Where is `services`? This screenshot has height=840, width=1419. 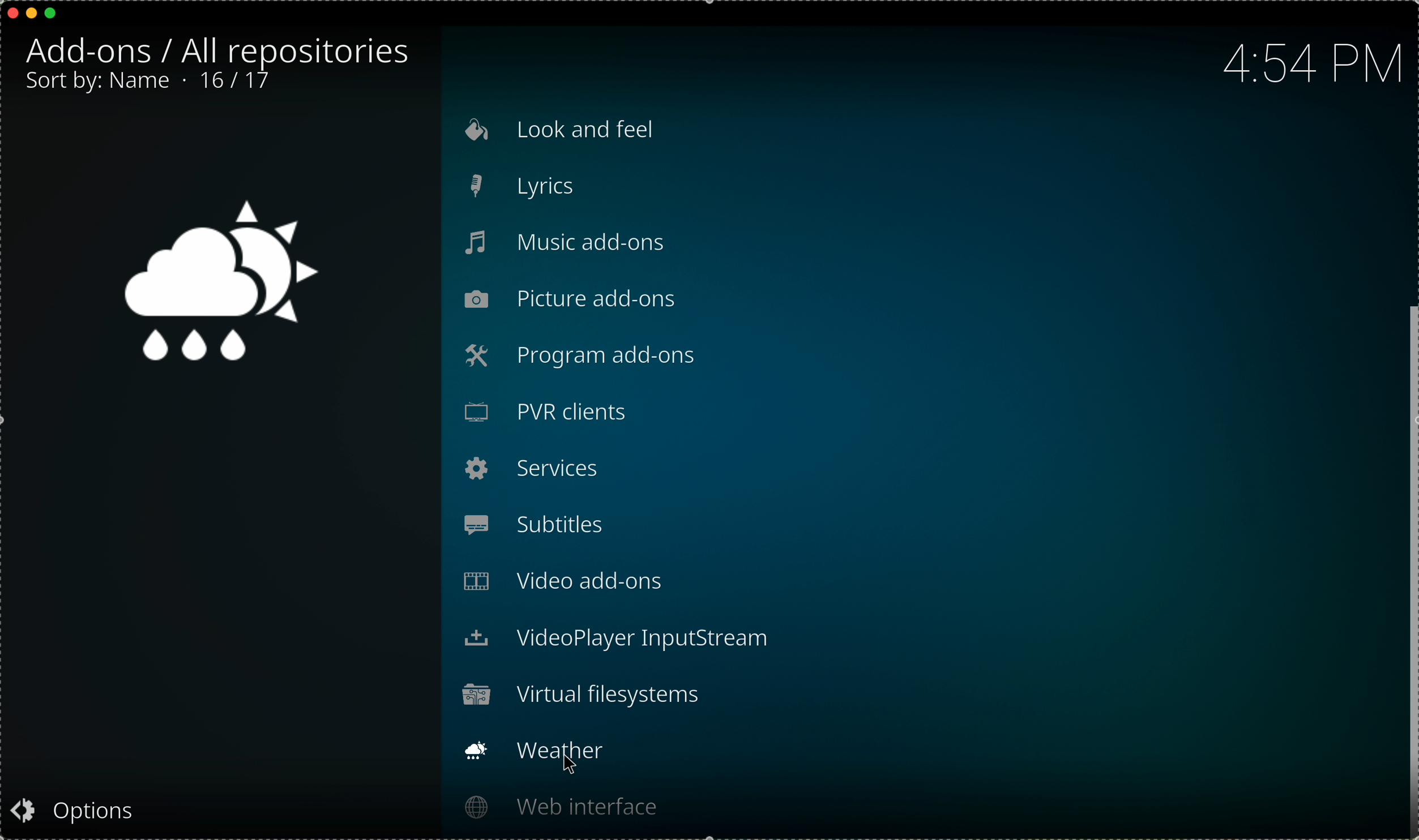 services is located at coordinates (533, 468).